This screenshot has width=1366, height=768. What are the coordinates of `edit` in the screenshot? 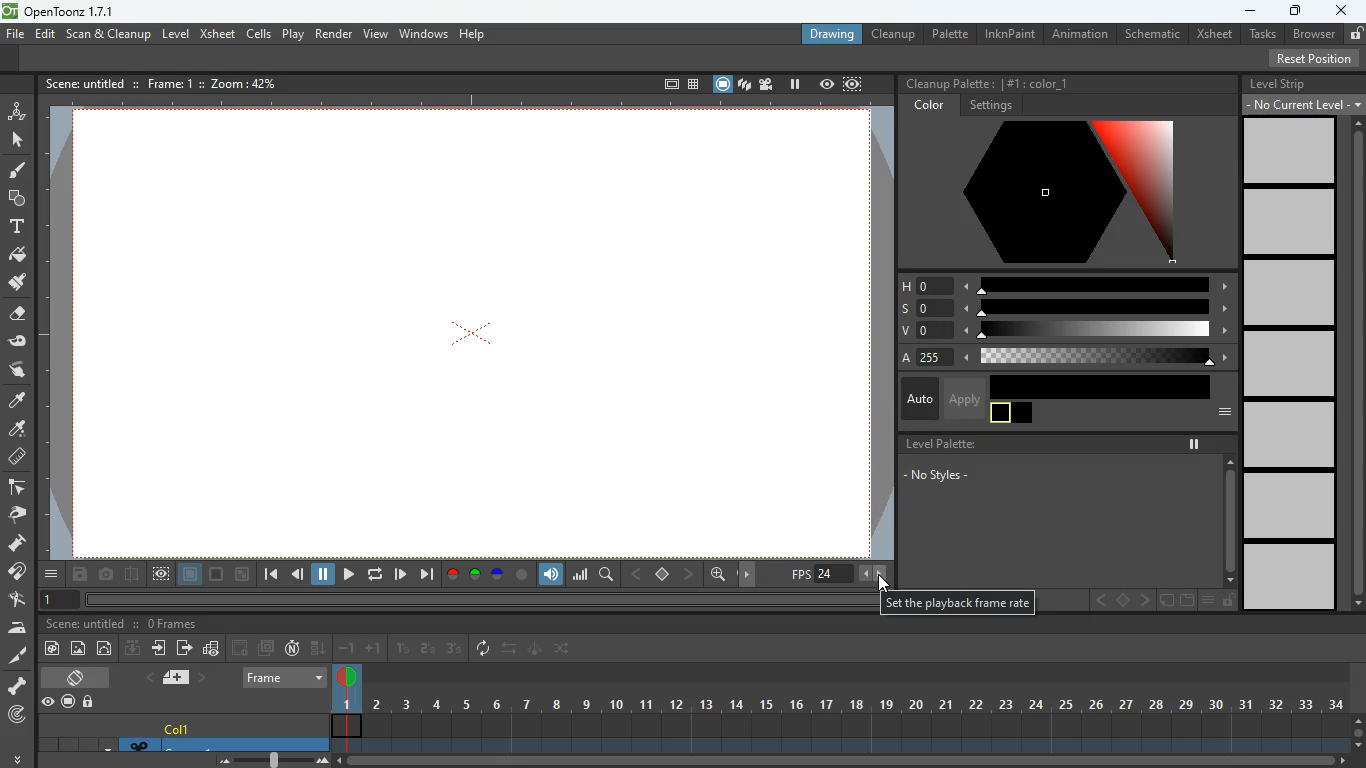 It's located at (1165, 601).